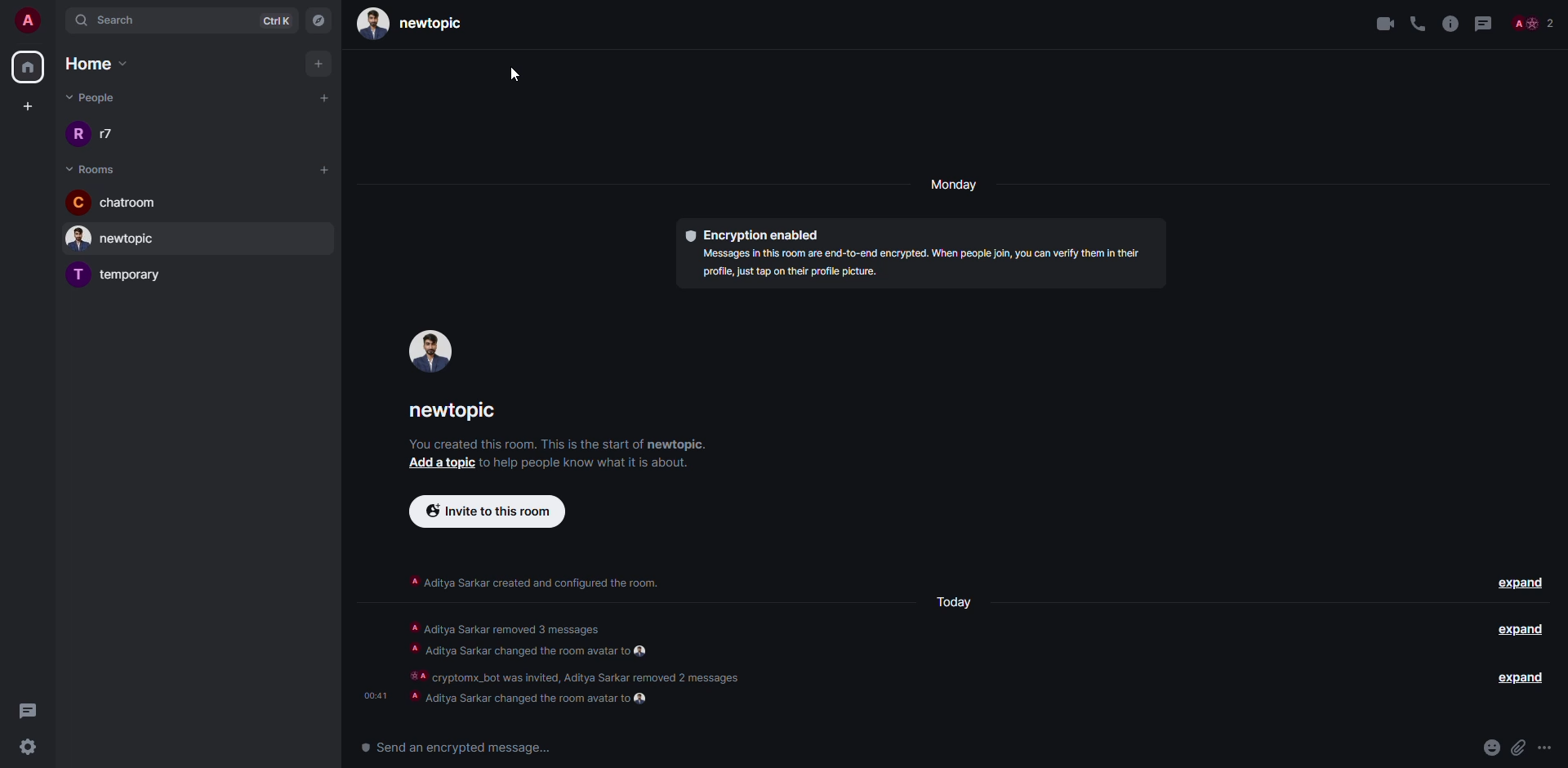  I want to click on people, so click(93, 96).